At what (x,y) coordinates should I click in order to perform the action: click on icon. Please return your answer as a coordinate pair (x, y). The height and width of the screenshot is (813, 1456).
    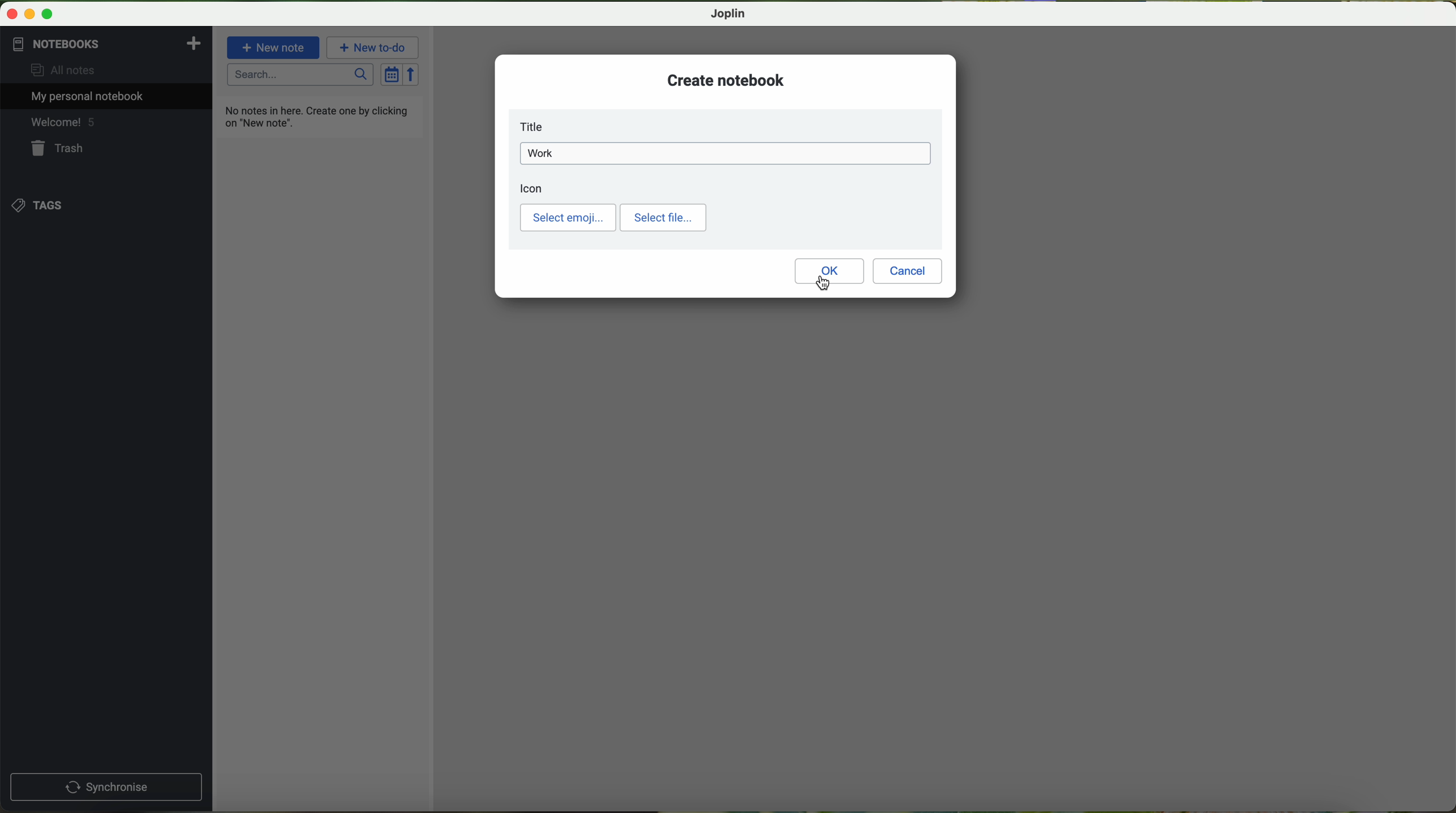
    Looking at the image, I should click on (532, 188).